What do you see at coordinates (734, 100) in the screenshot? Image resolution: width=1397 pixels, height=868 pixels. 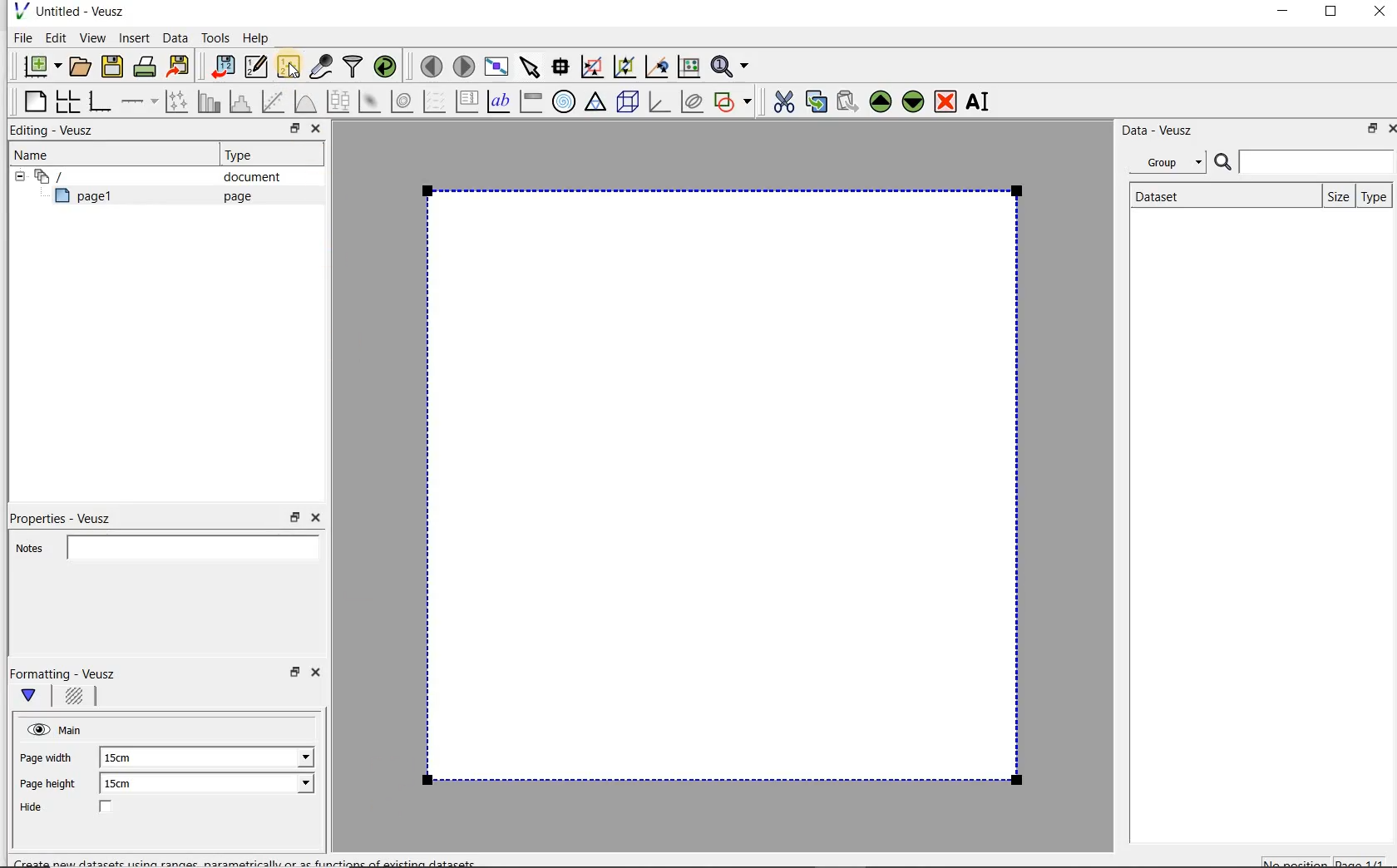 I see `add a shape to the plot` at bounding box center [734, 100].